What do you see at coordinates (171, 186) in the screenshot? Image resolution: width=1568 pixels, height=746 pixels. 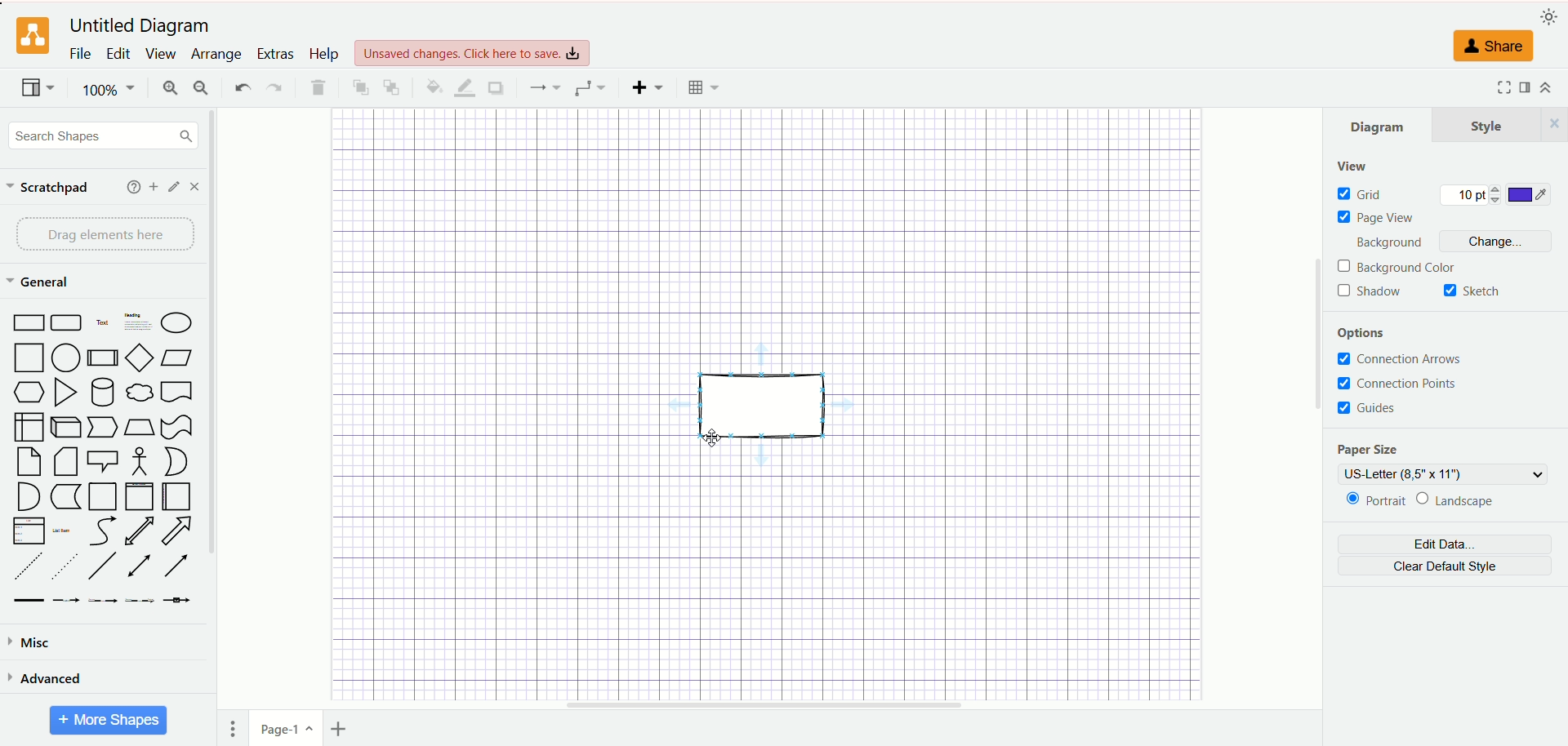 I see `edit` at bounding box center [171, 186].